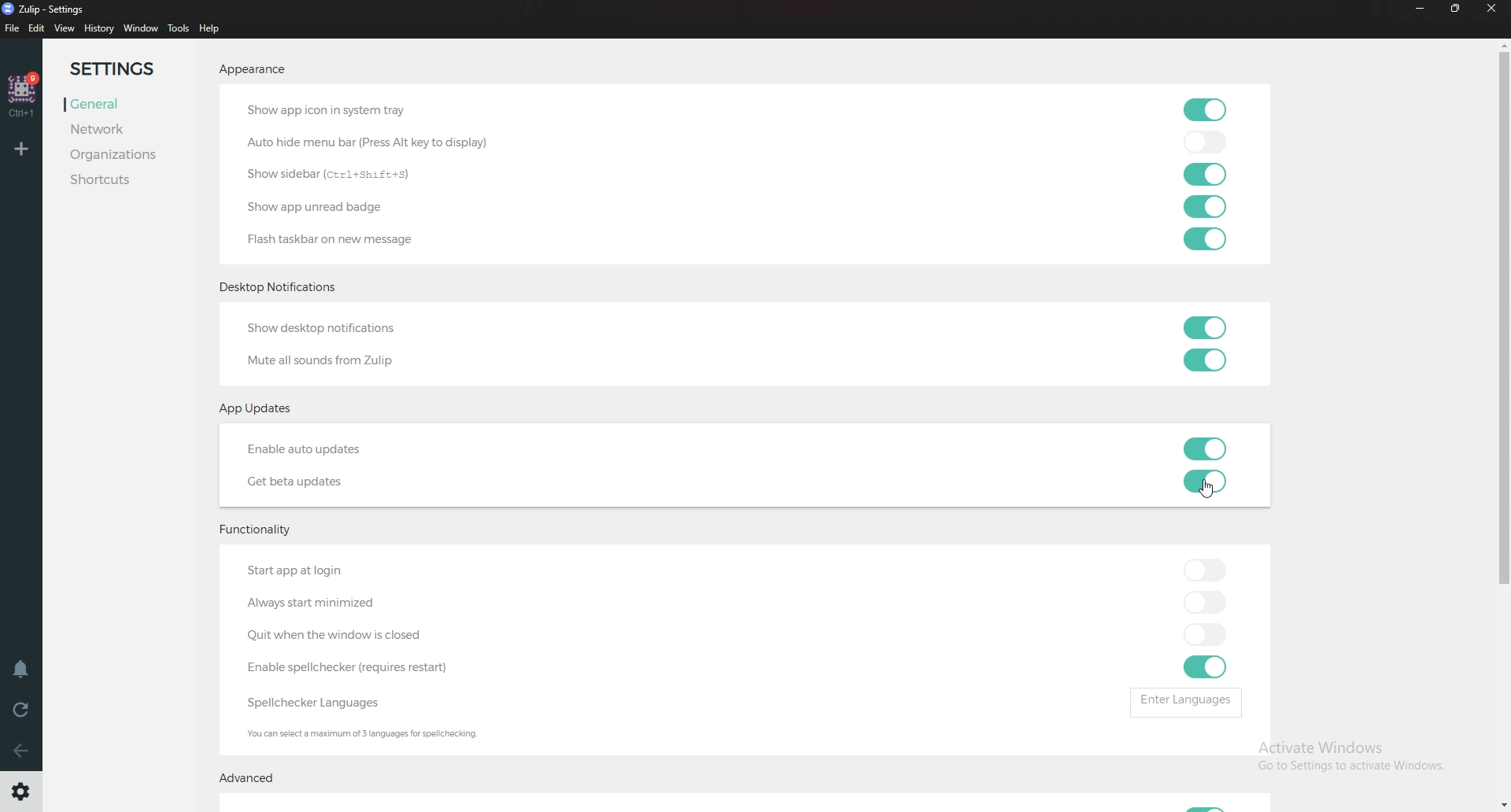 The width and height of the screenshot is (1511, 812). What do you see at coordinates (21, 150) in the screenshot?
I see `Add Workspace` at bounding box center [21, 150].